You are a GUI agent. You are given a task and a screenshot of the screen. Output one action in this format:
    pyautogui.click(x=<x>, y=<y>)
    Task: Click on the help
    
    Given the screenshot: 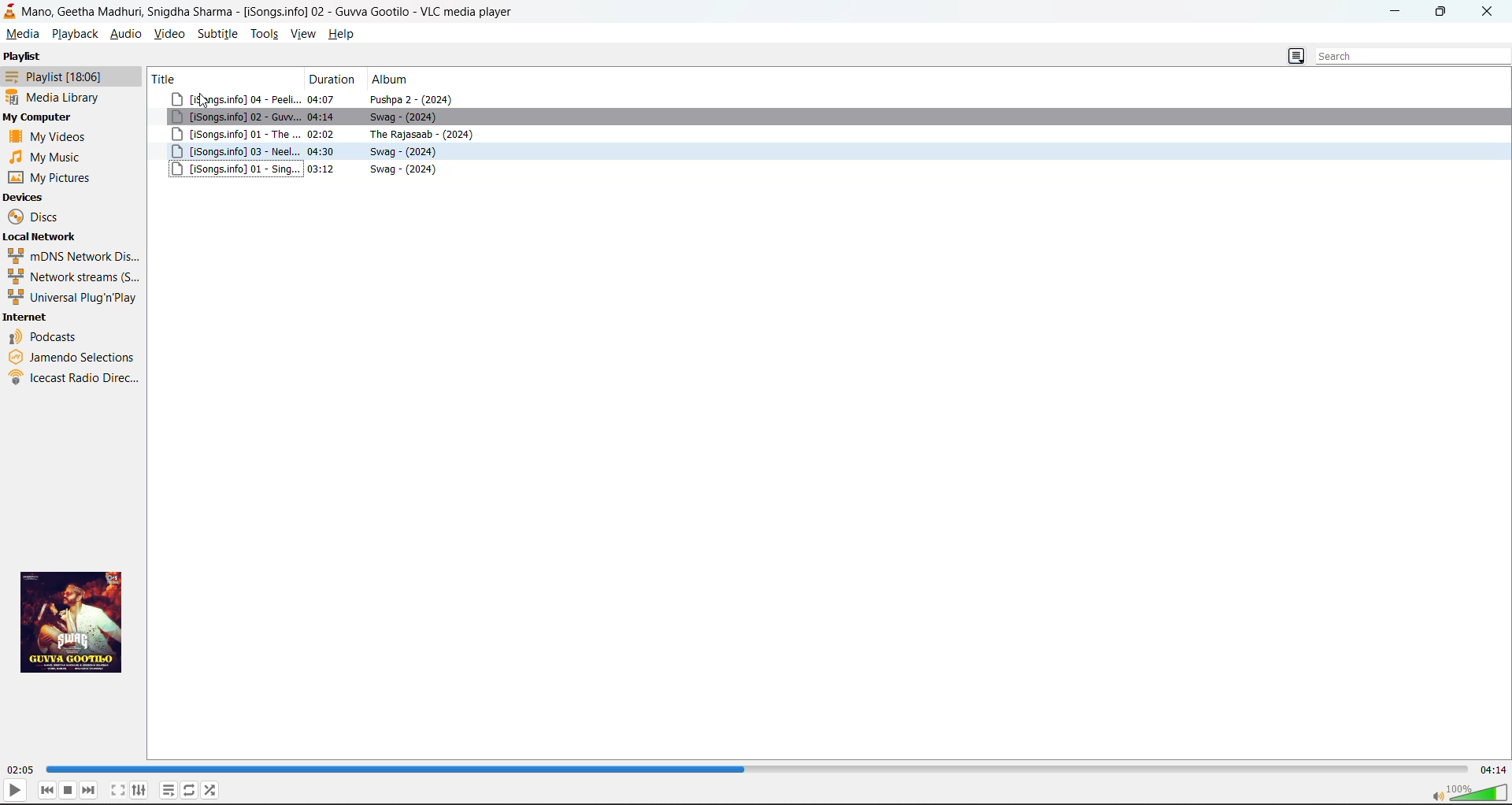 What is the action you would take?
    pyautogui.click(x=341, y=33)
    